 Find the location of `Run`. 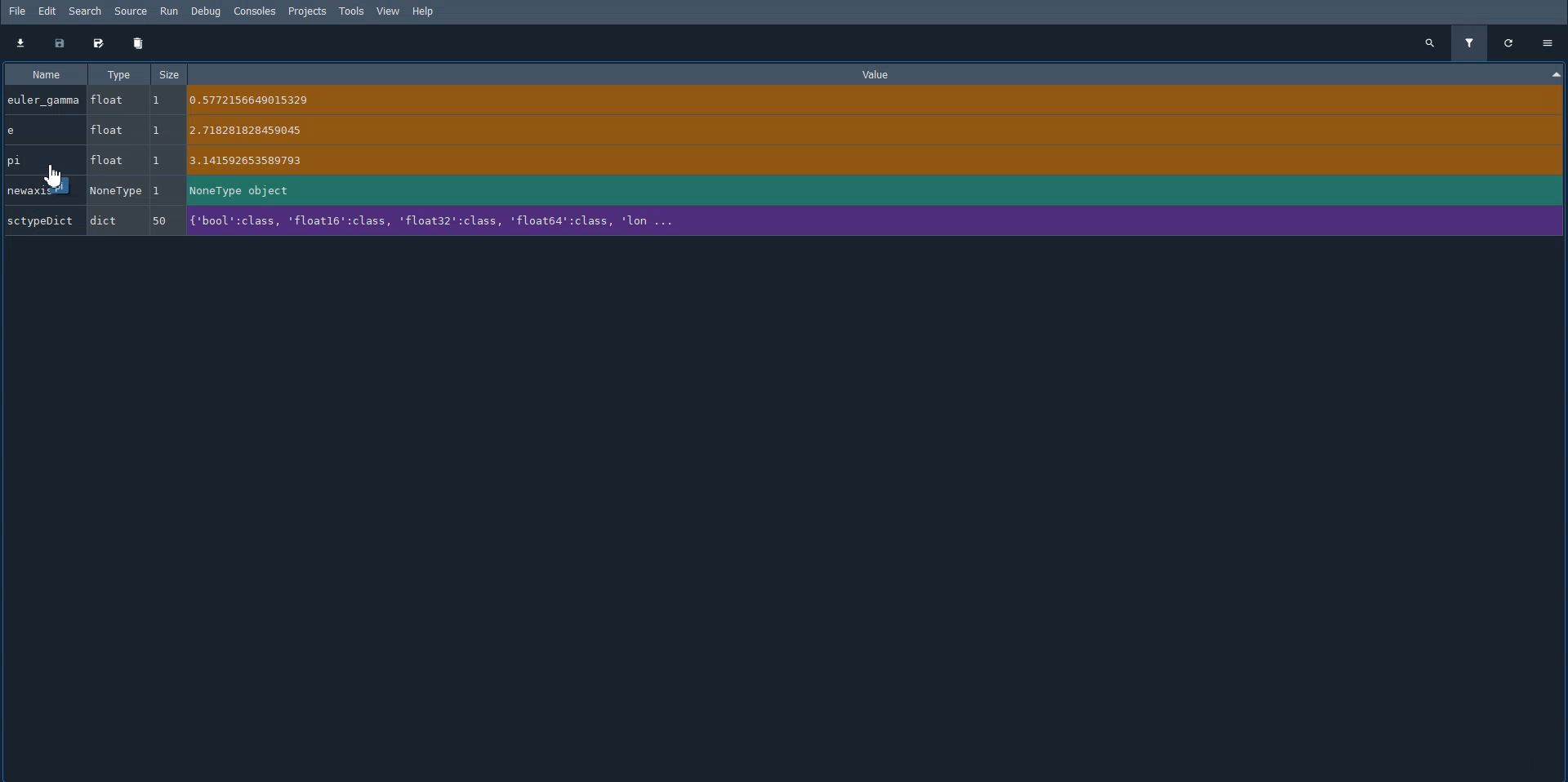

Run is located at coordinates (170, 11).